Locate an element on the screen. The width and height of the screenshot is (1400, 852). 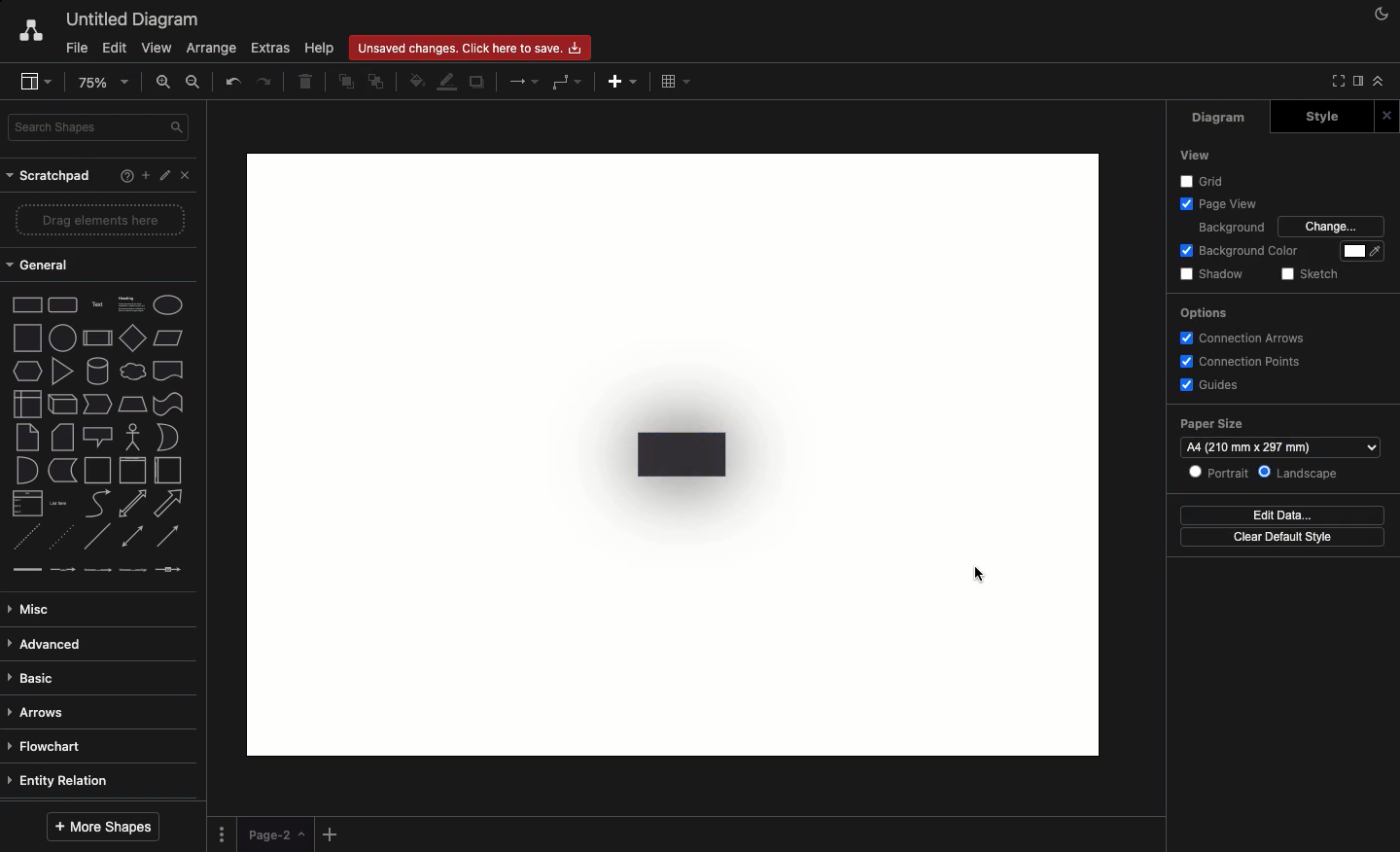
process is located at coordinates (96, 339).